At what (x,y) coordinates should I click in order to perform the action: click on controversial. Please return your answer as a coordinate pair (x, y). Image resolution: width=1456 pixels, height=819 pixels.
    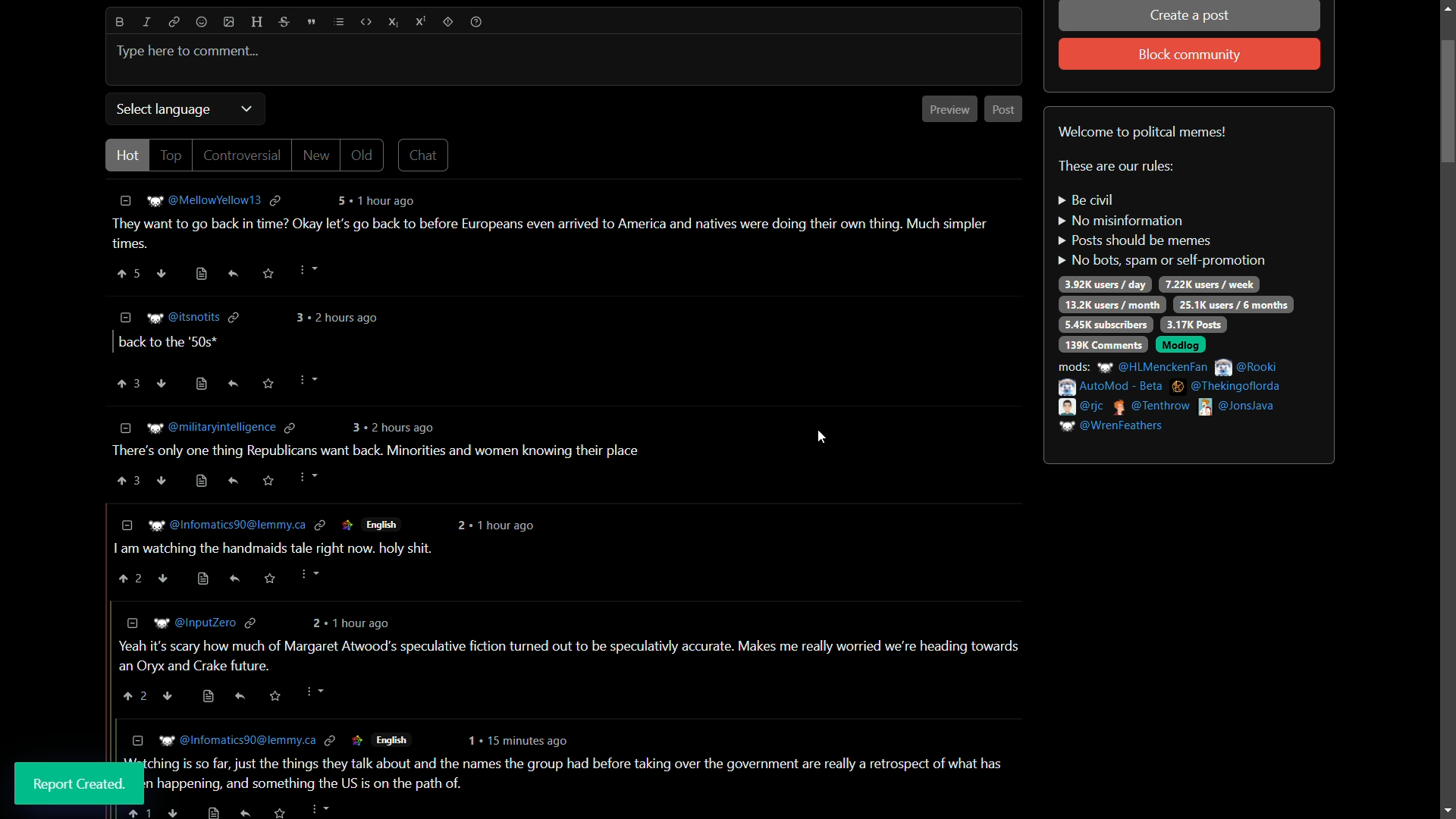
    Looking at the image, I should click on (240, 155).